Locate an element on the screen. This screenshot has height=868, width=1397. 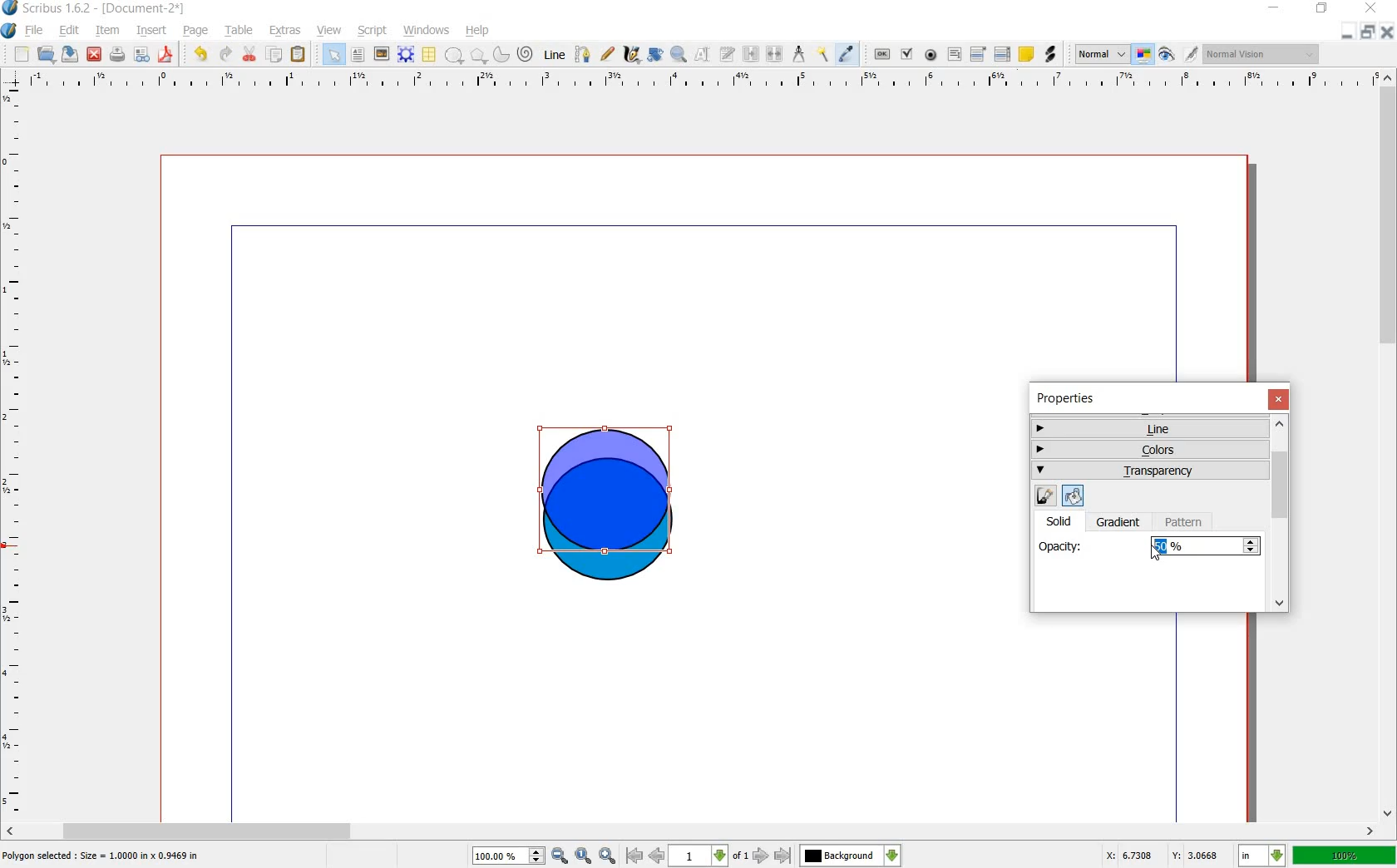
in is located at coordinates (1261, 856).